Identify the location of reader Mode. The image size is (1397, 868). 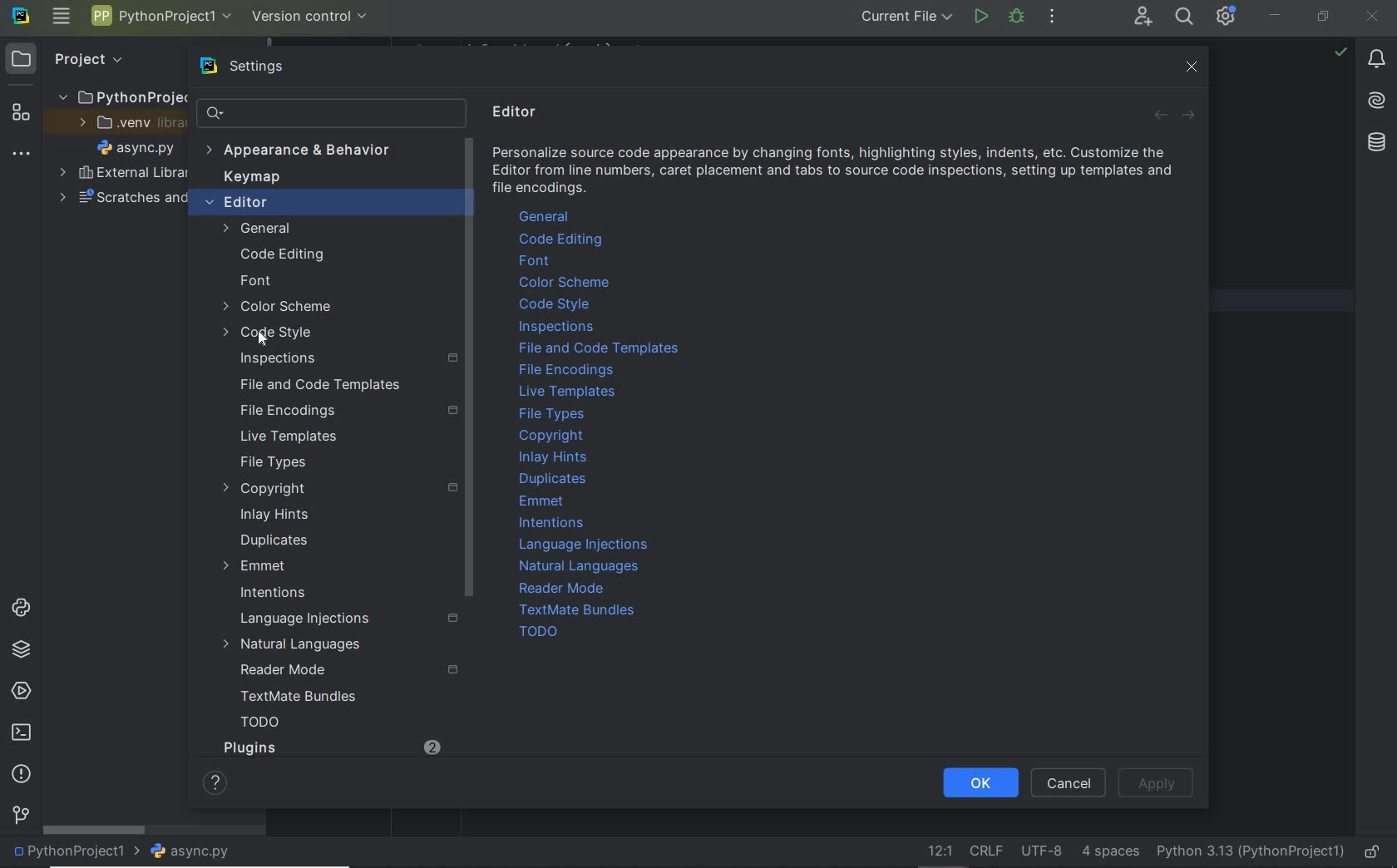
(341, 671).